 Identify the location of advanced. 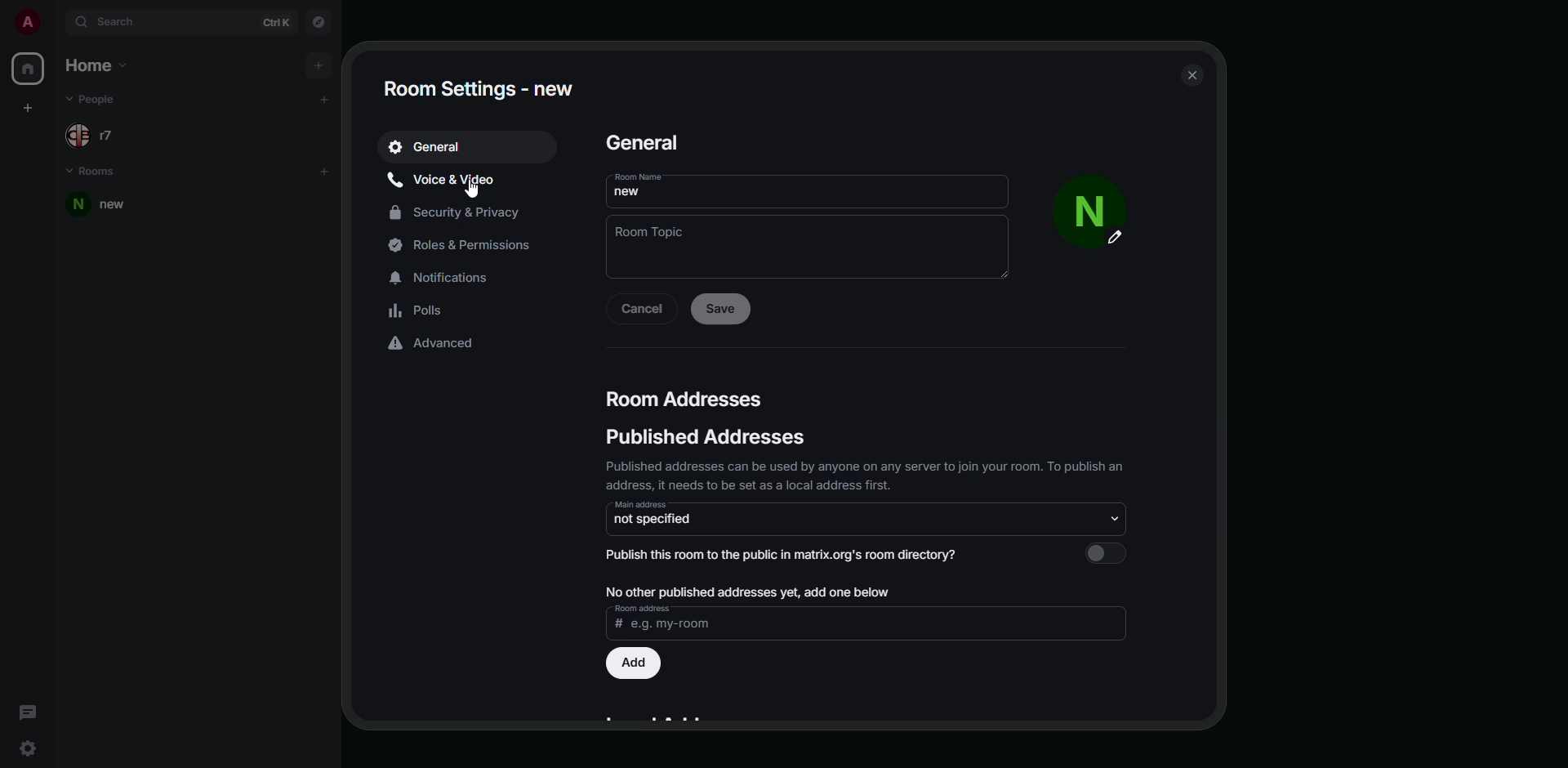
(432, 345).